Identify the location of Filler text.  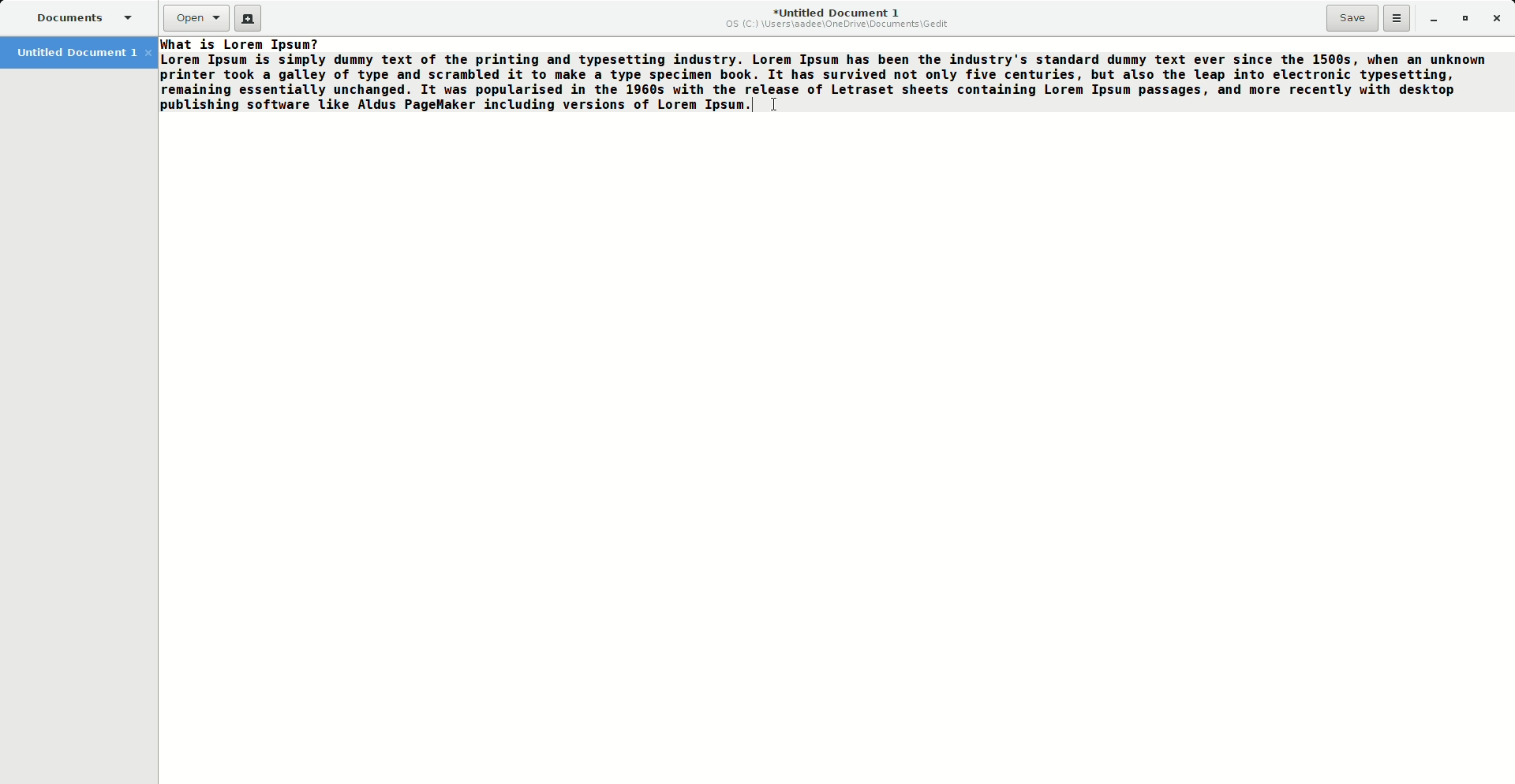
(826, 74).